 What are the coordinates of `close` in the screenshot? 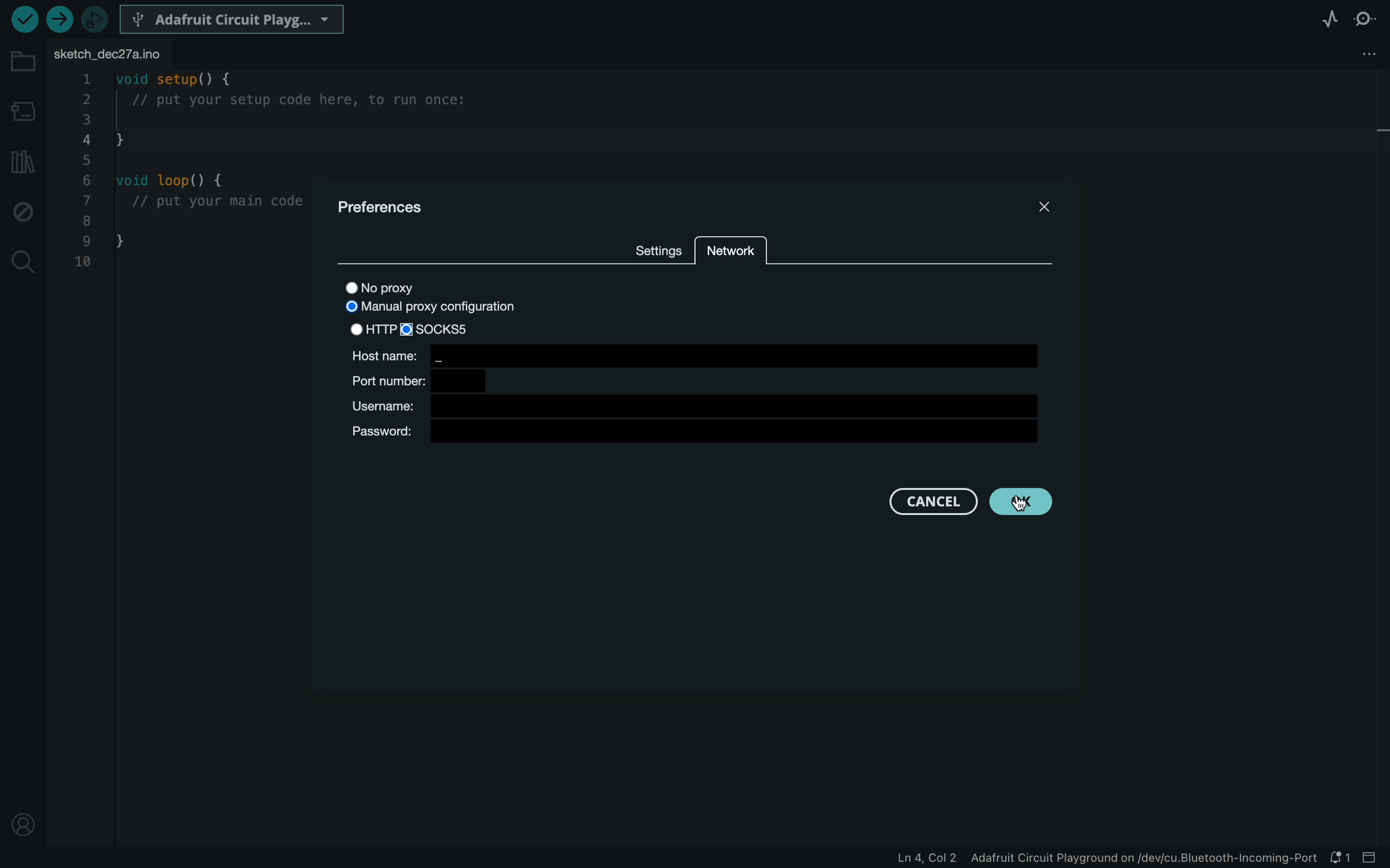 It's located at (1042, 204).